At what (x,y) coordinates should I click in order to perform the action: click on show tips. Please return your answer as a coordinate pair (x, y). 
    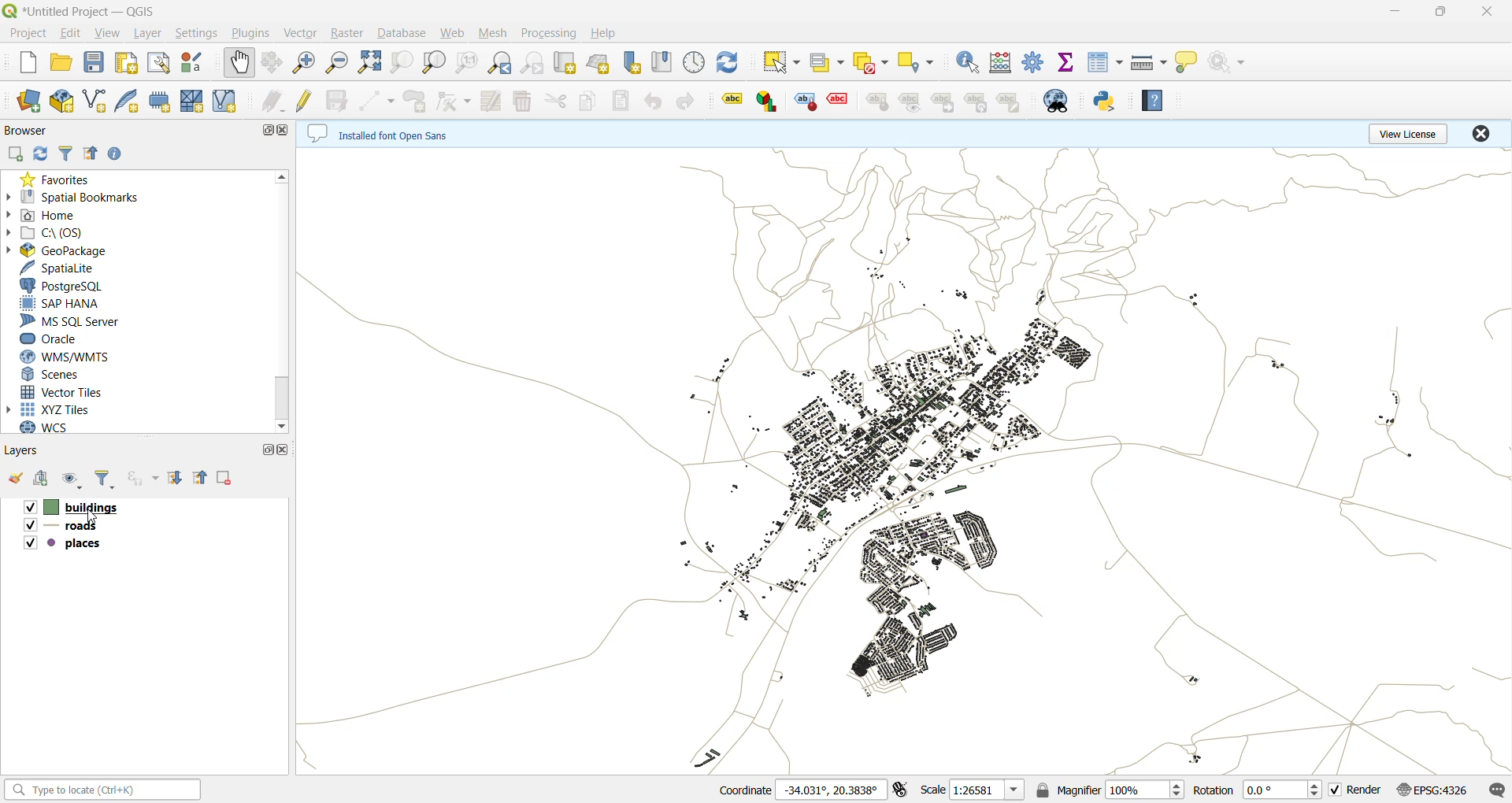
    Looking at the image, I should click on (1191, 63).